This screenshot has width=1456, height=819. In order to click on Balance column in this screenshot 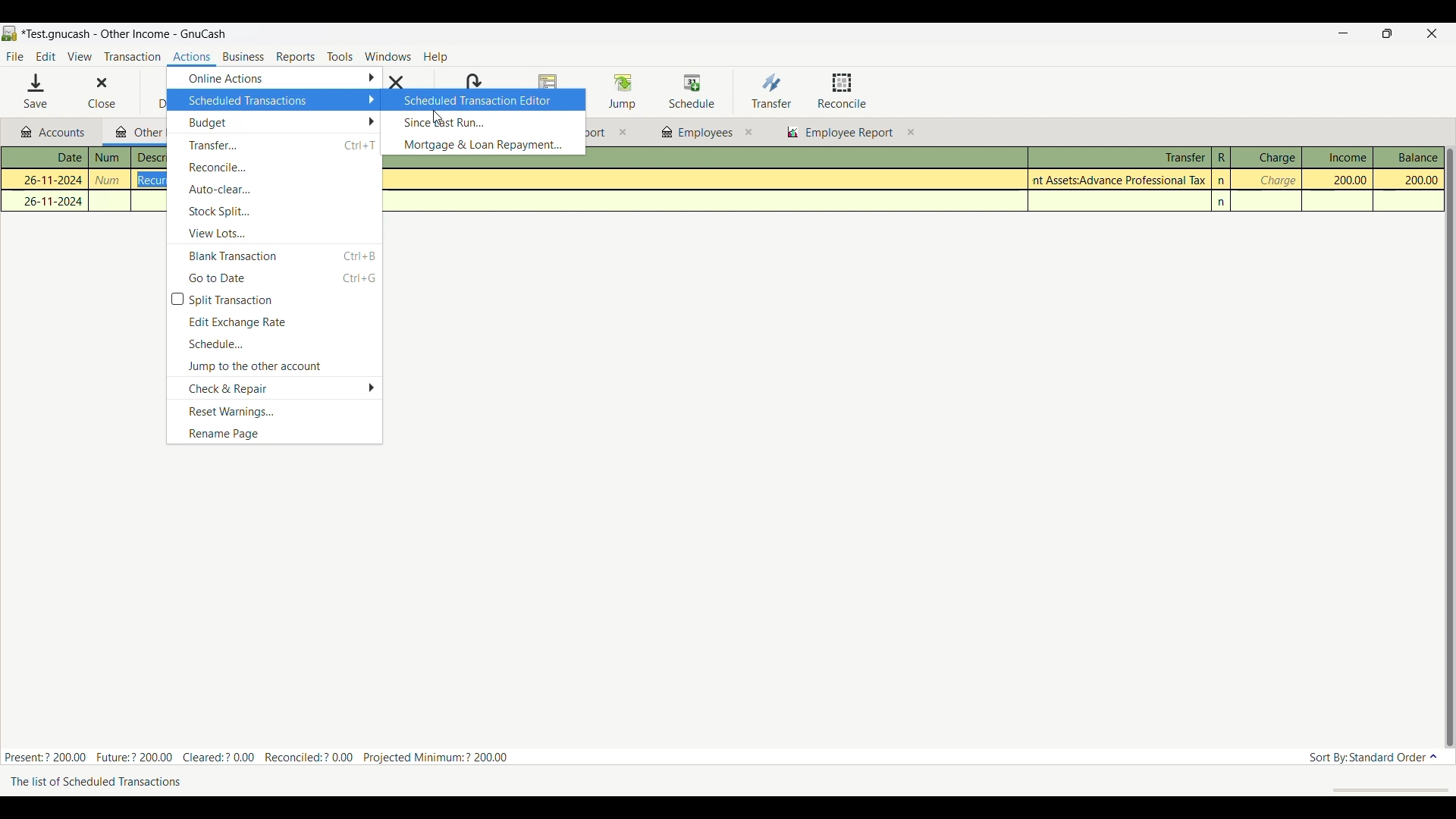, I will do `click(1409, 157)`.